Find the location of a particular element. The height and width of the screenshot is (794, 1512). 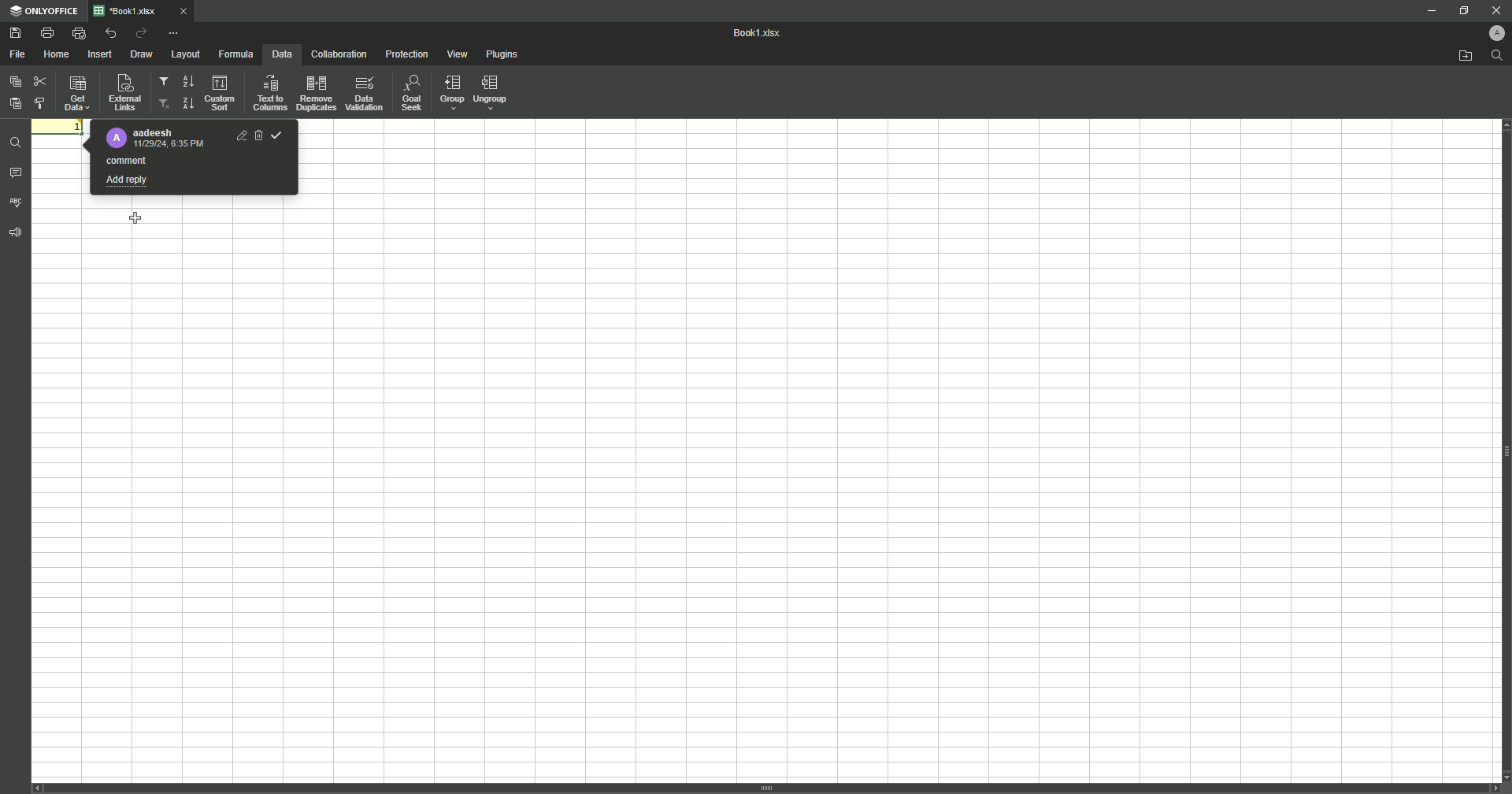

Remove Duplicates is located at coordinates (316, 93).